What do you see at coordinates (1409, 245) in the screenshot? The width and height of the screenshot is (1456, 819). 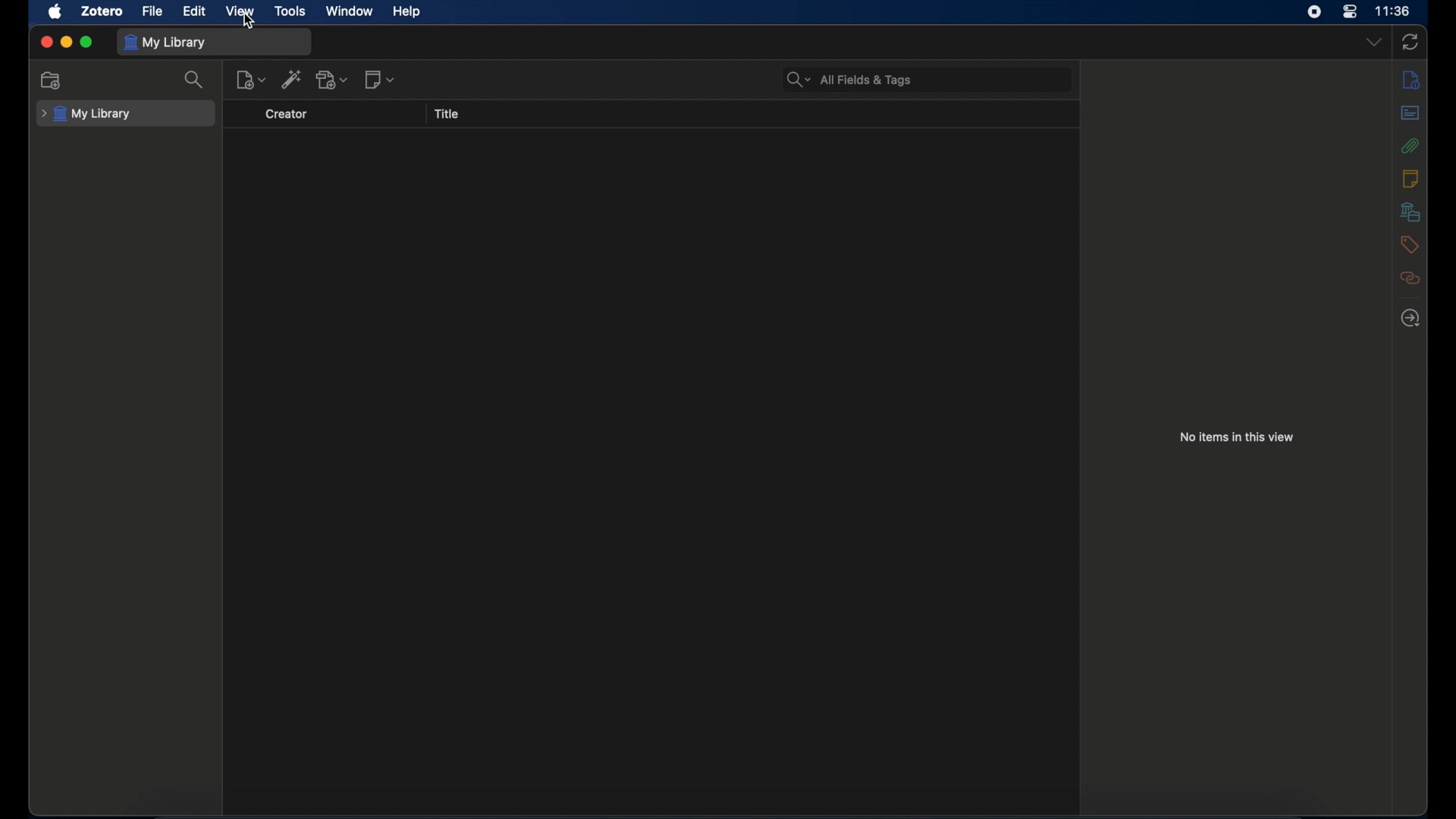 I see `tags` at bounding box center [1409, 245].